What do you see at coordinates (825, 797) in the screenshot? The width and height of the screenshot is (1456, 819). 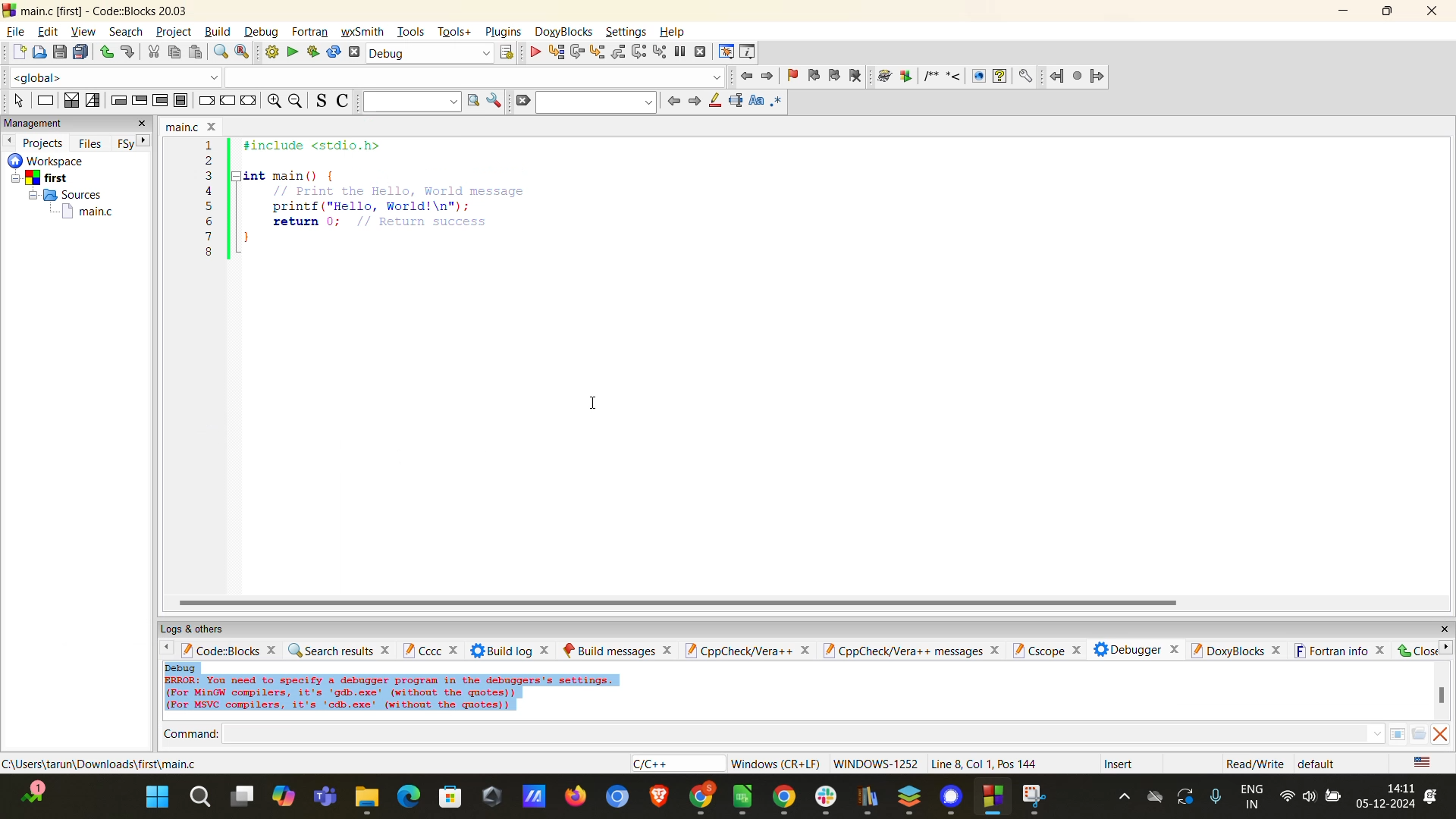 I see `slack` at bounding box center [825, 797].